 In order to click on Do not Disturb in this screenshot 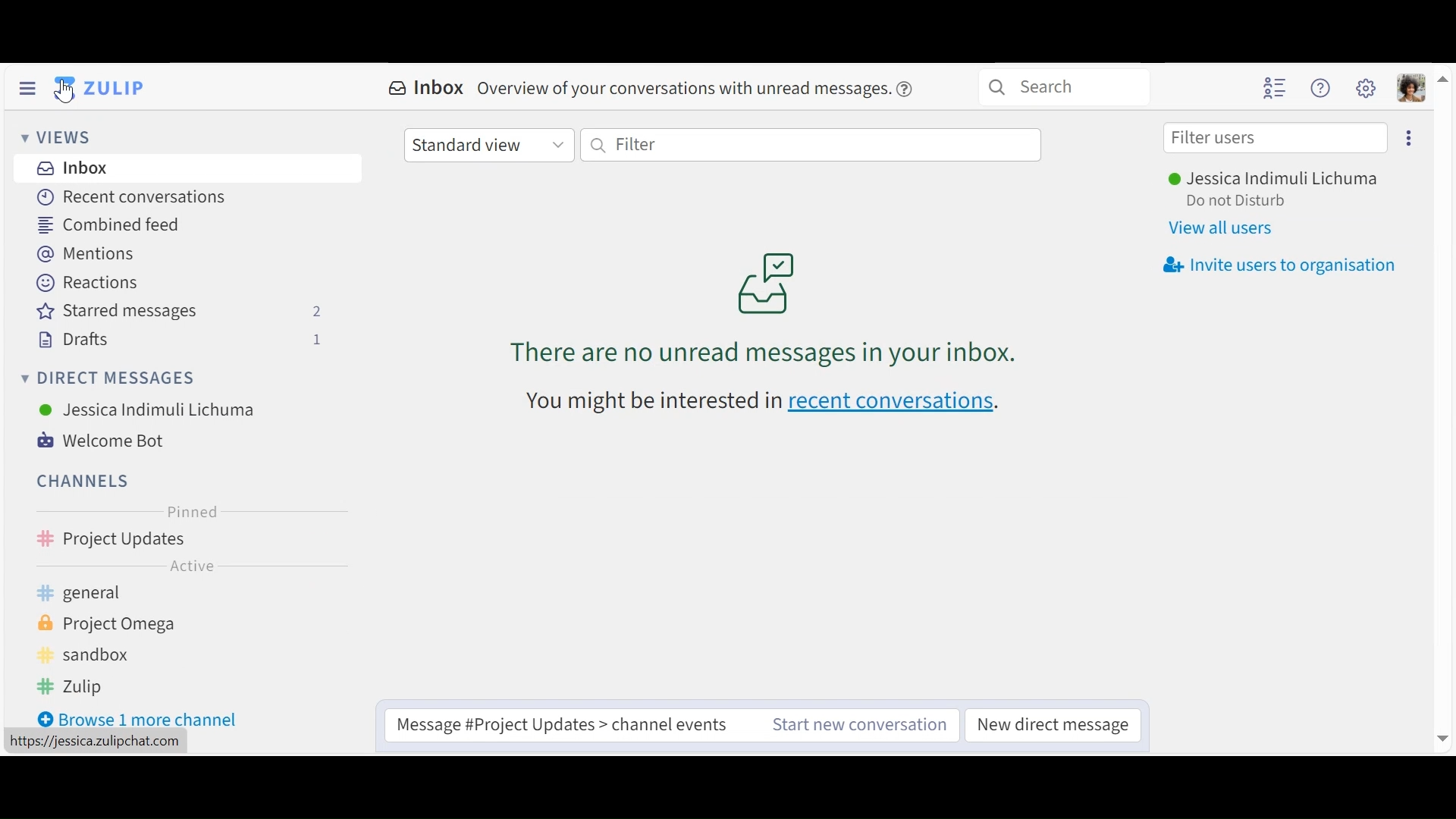, I will do `click(1236, 201)`.